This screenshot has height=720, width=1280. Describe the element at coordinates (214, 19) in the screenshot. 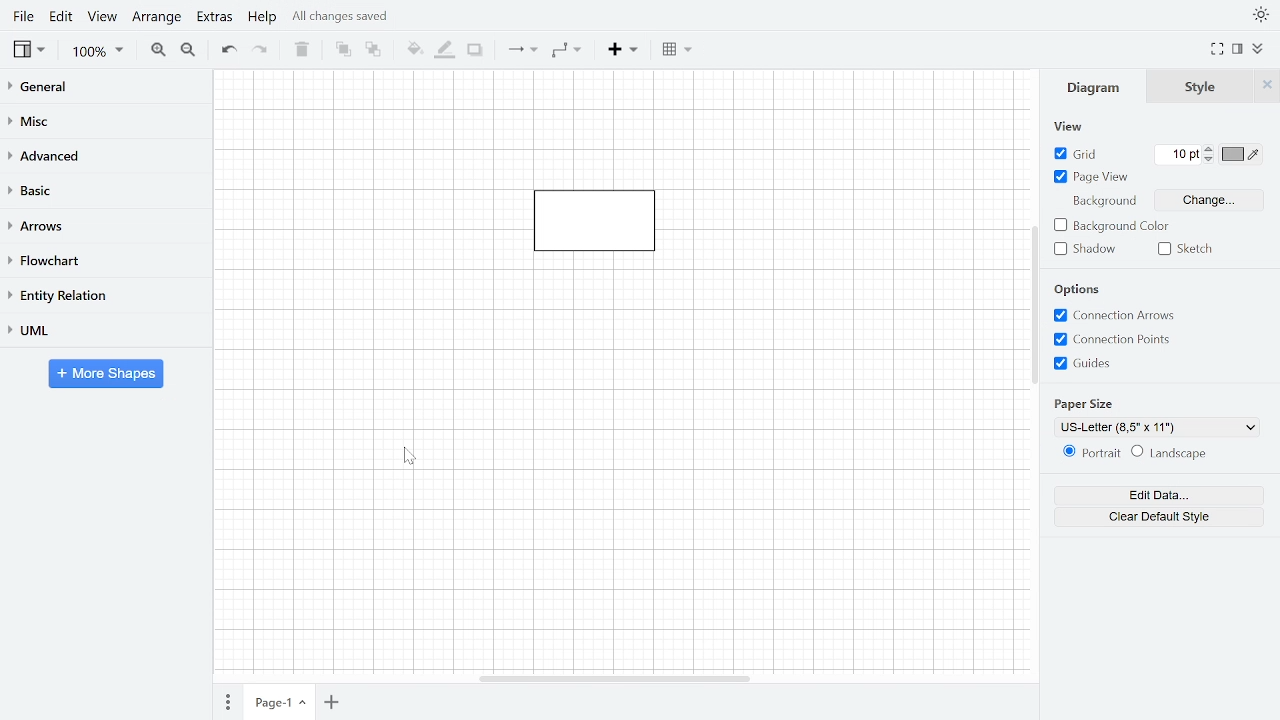

I see `Extras` at that location.